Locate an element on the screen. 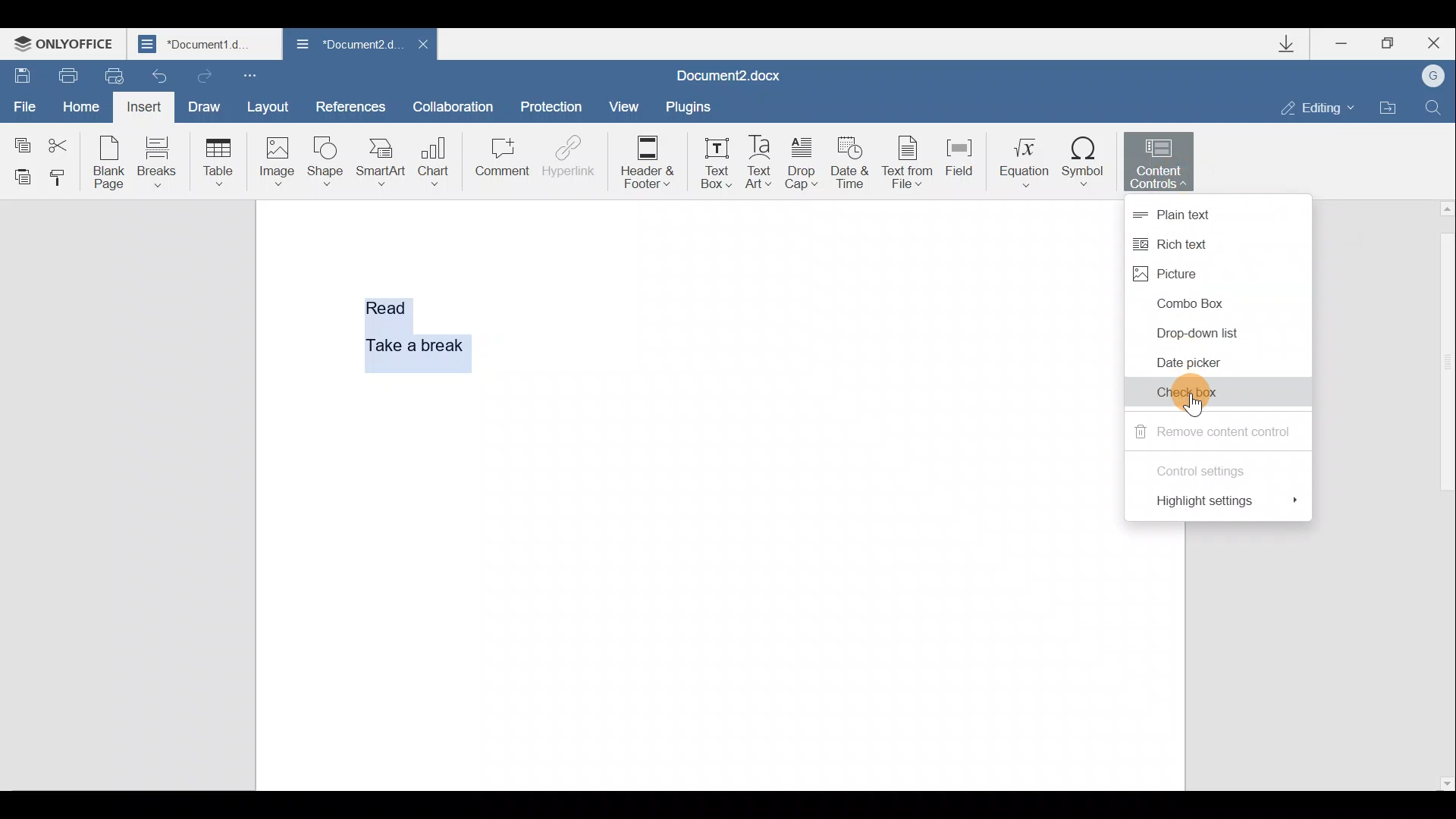 Image resolution: width=1456 pixels, height=819 pixels. Undo is located at coordinates (155, 76).